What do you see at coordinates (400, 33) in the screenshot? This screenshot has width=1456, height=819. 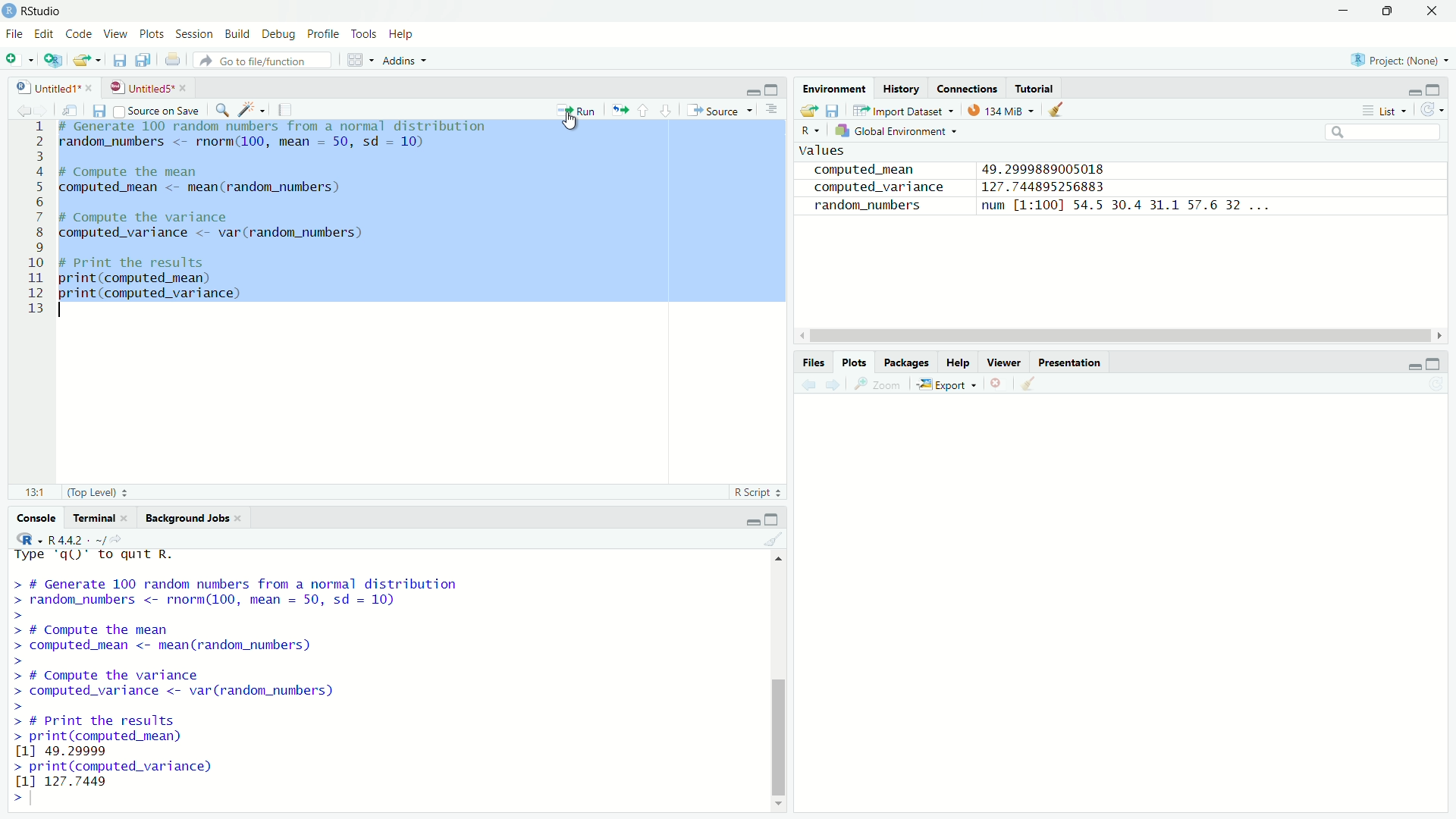 I see `help` at bounding box center [400, 33].